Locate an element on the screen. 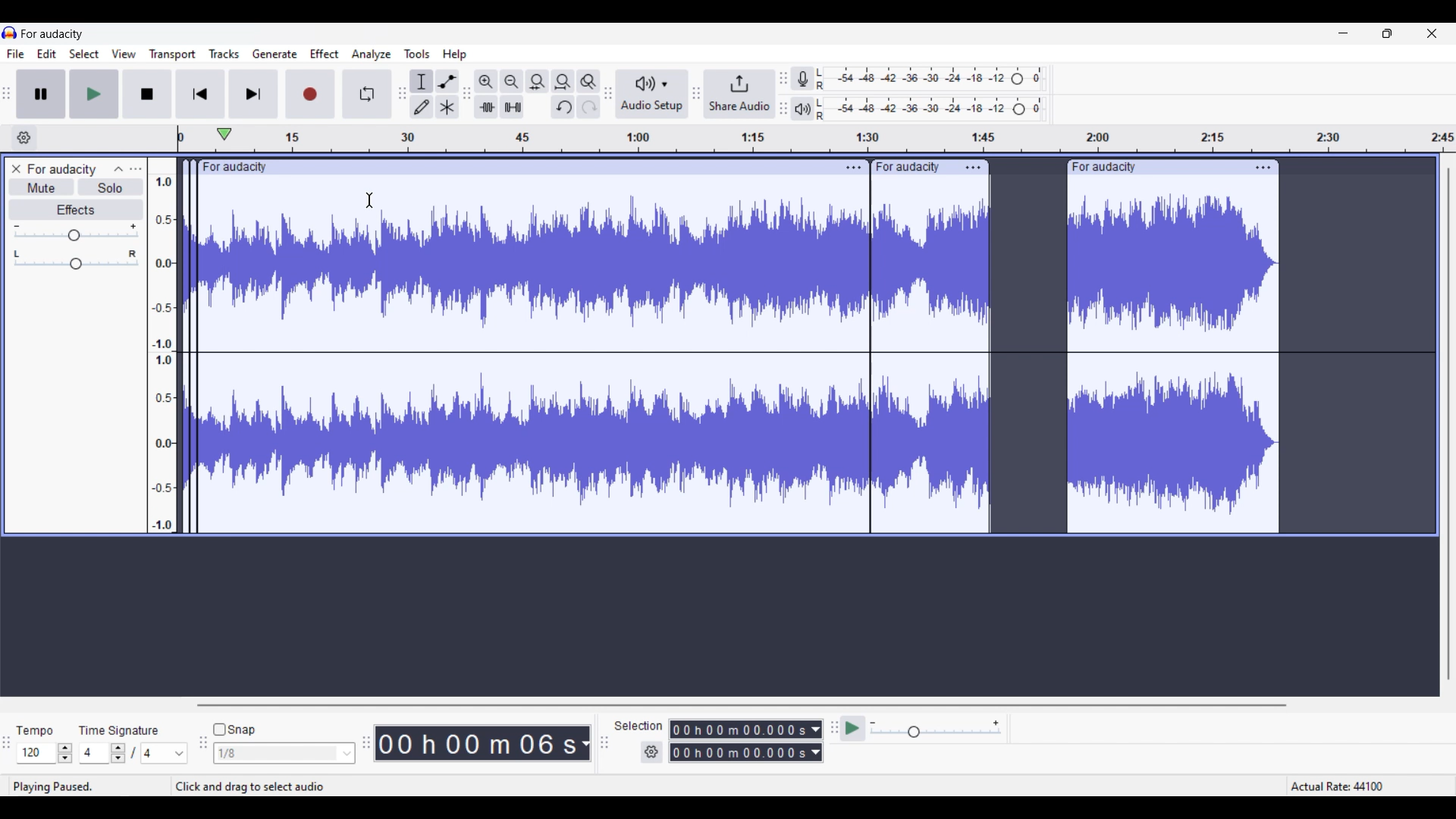  Selection settings is located at coordinates (652, 752).